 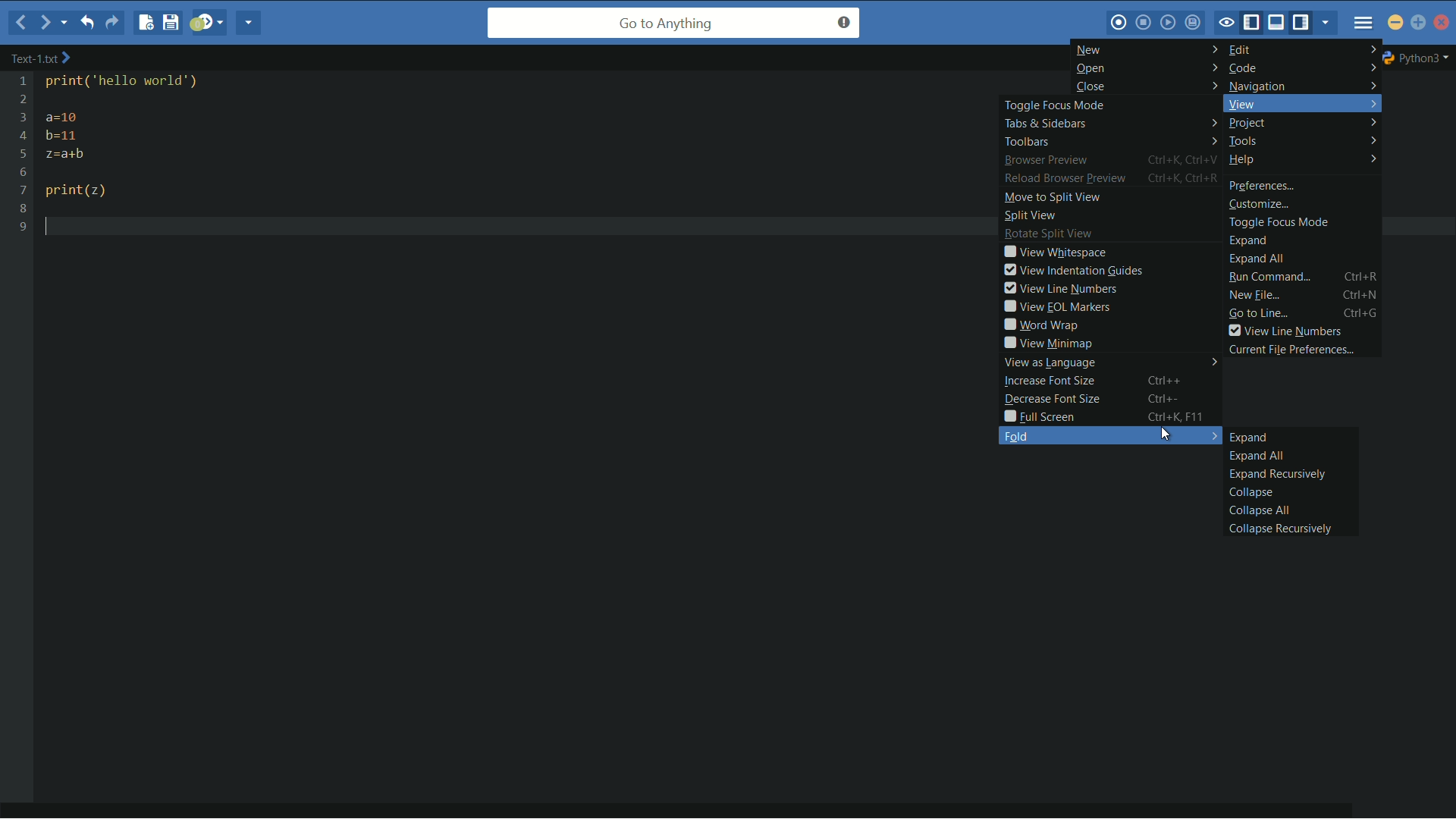 I want to click on menu, so click(x=1363, y=22).